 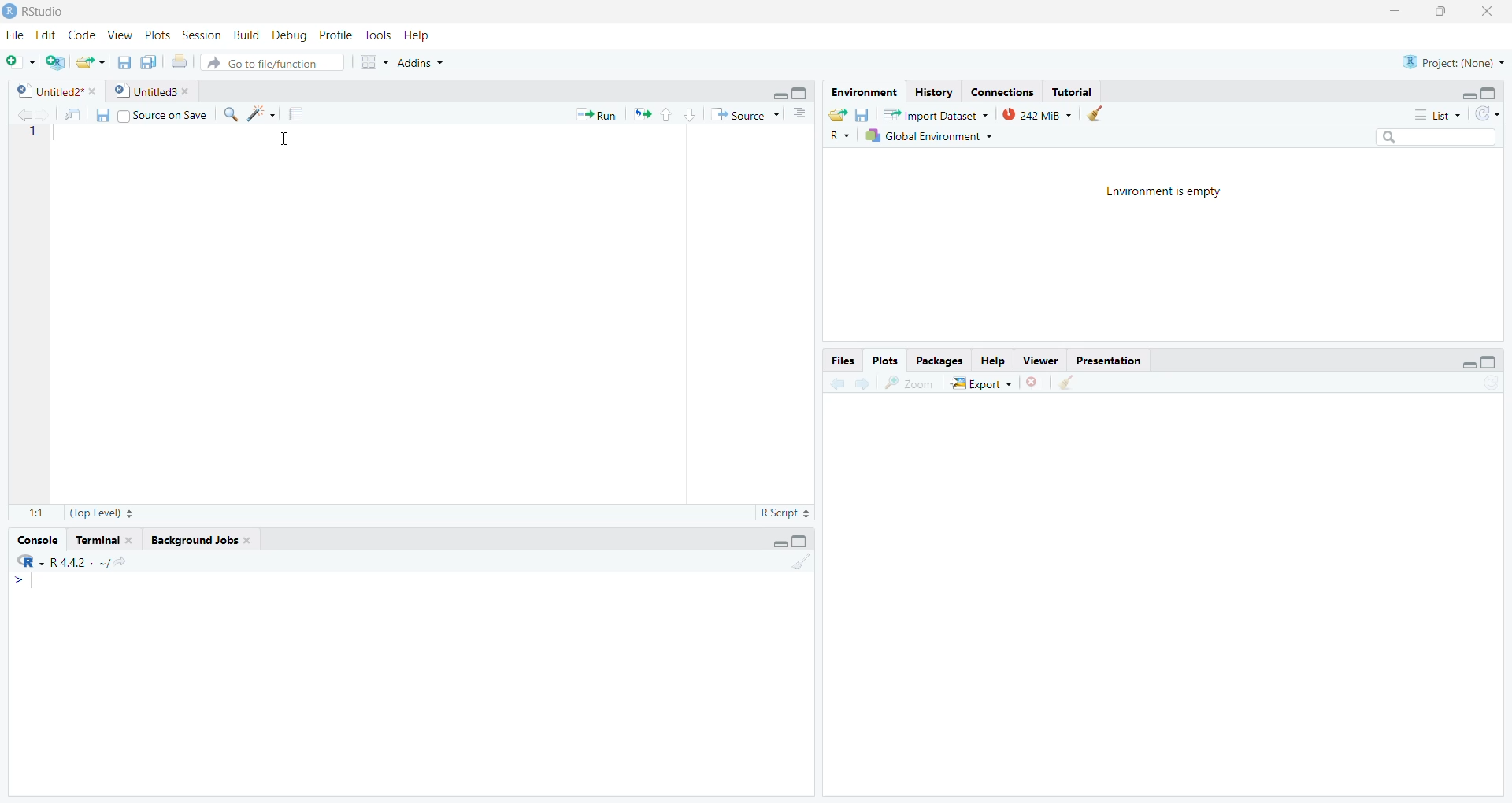 What do you see at coordinates (777, 94) in the screenshot?
I see `minimize` at bounding box center [777, 94].